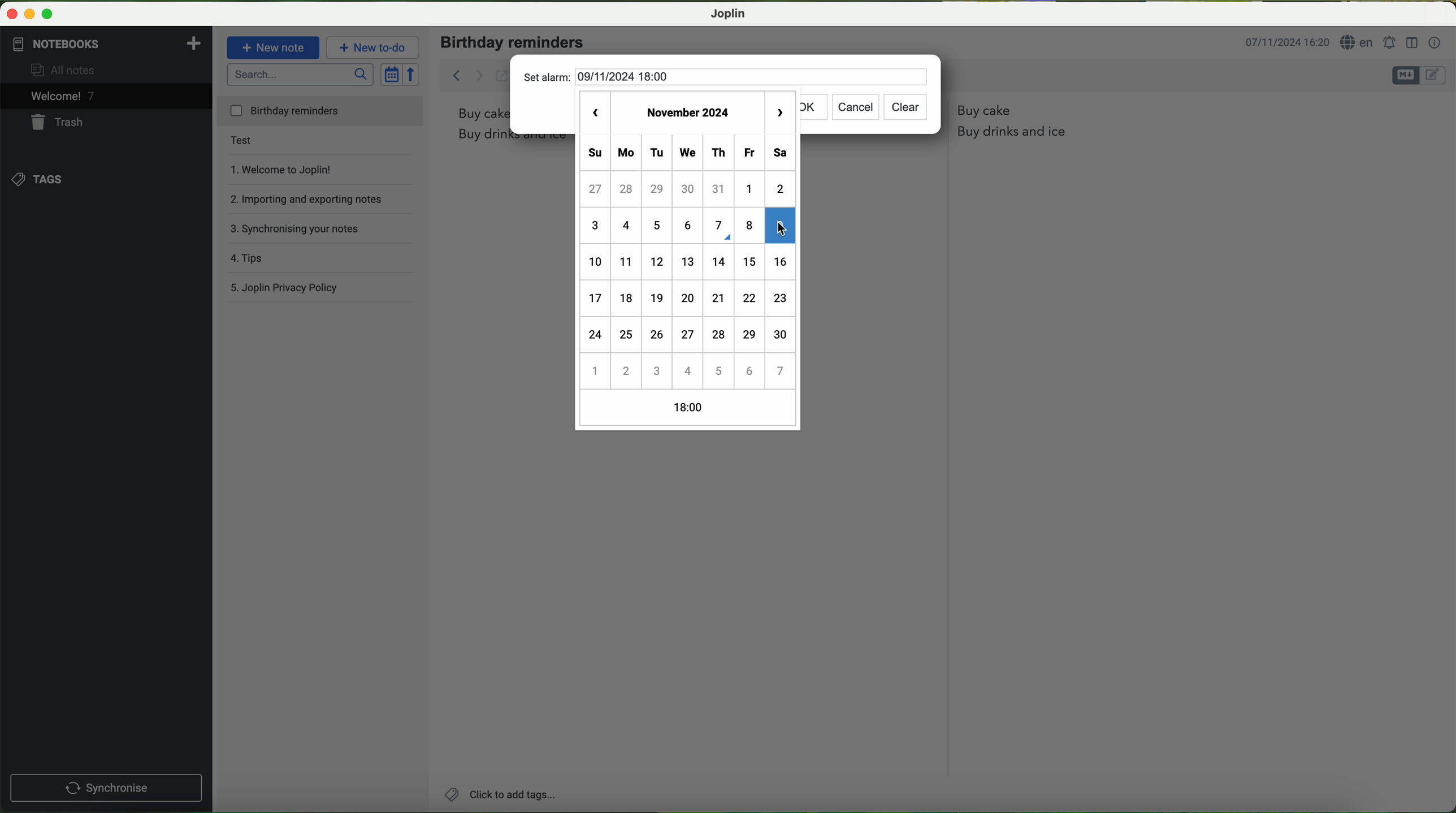  What do you see at coordinates (300, 76) in the screenshot?
I see `search bar` at bounding box center [300, 76].